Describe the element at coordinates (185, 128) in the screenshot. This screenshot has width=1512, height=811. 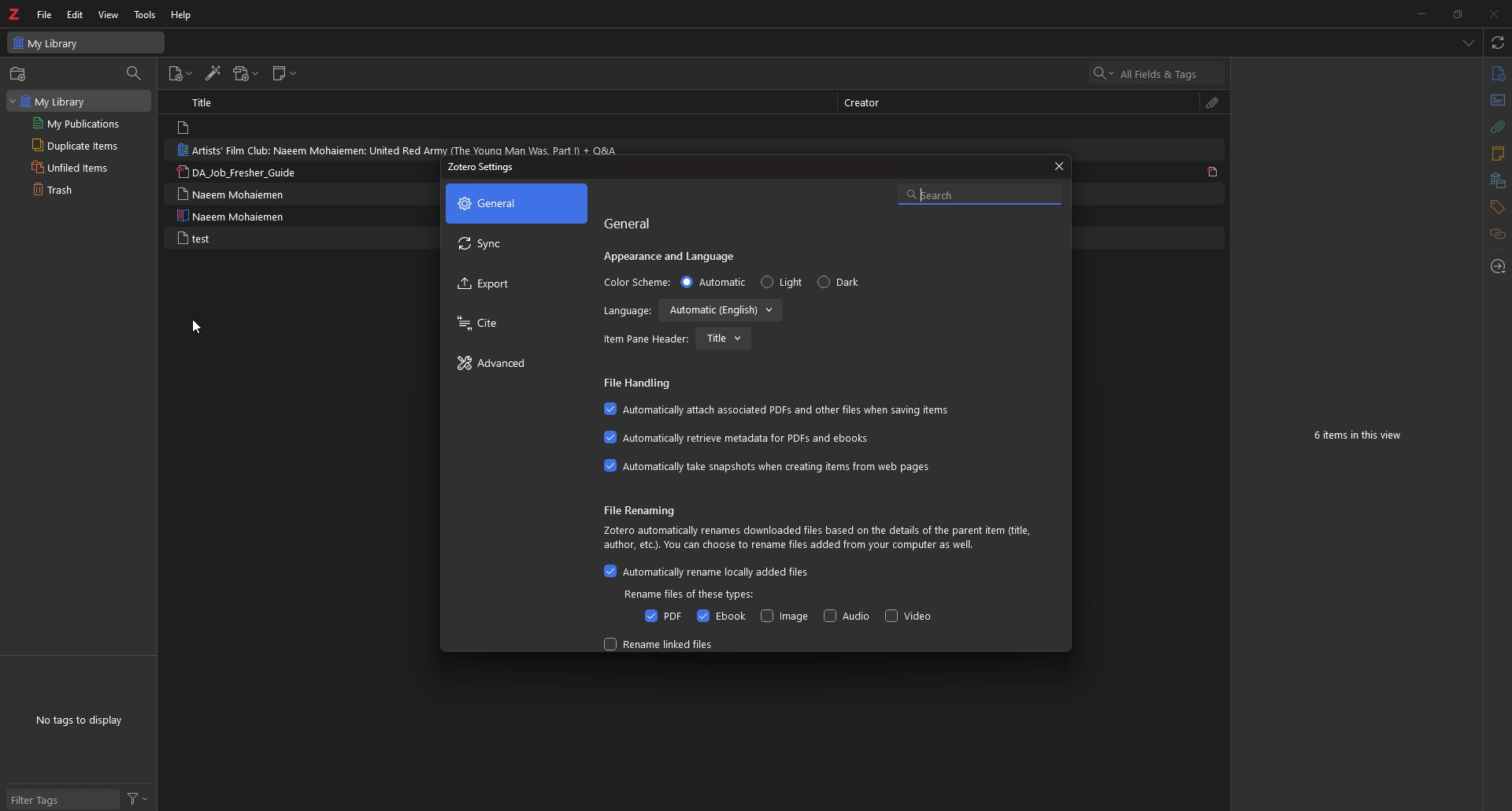
I see `file logo` at that location.